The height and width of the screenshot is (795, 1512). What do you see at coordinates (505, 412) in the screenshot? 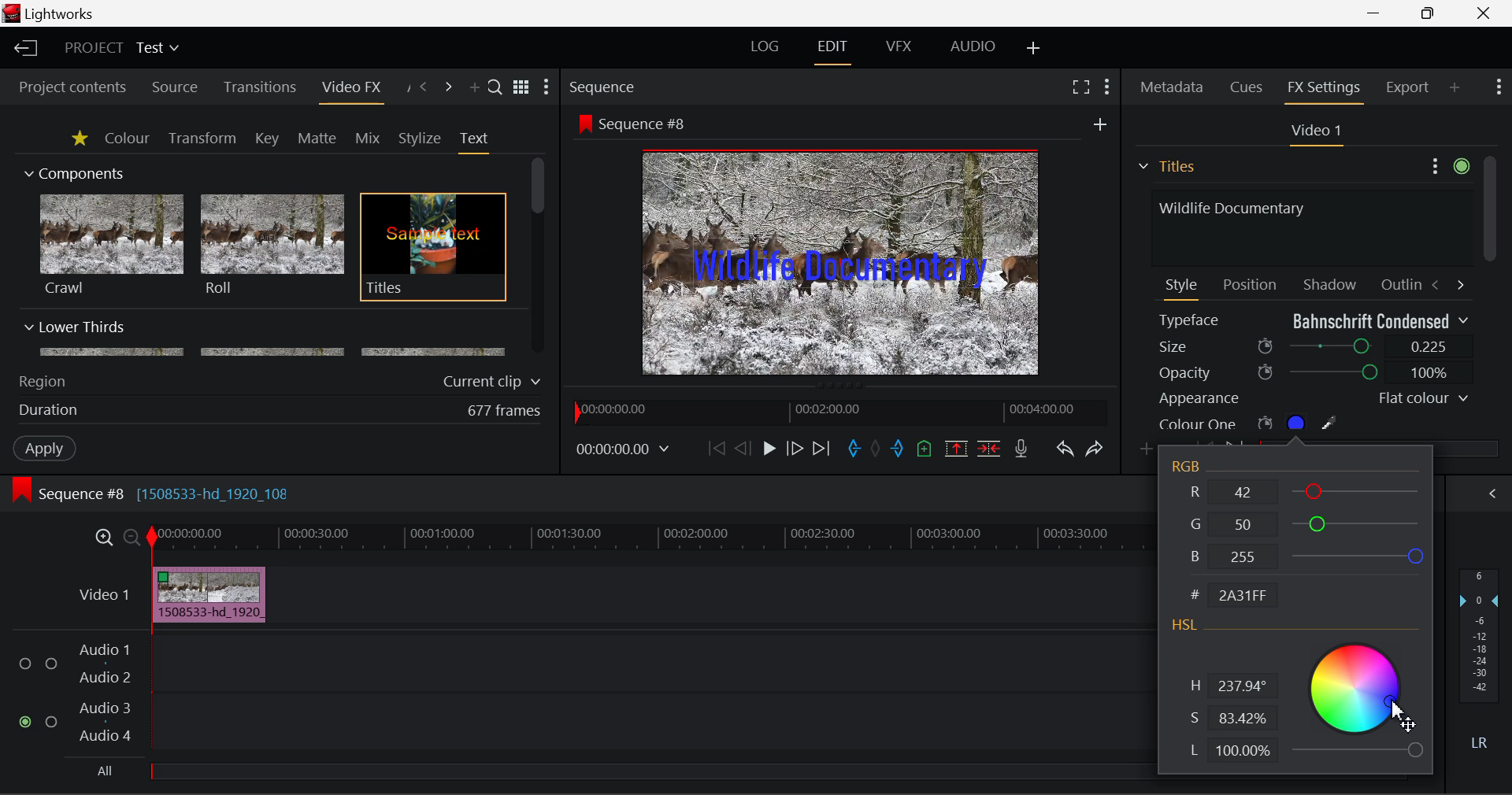
I see `677 frames` at bounding box center [505, 412].